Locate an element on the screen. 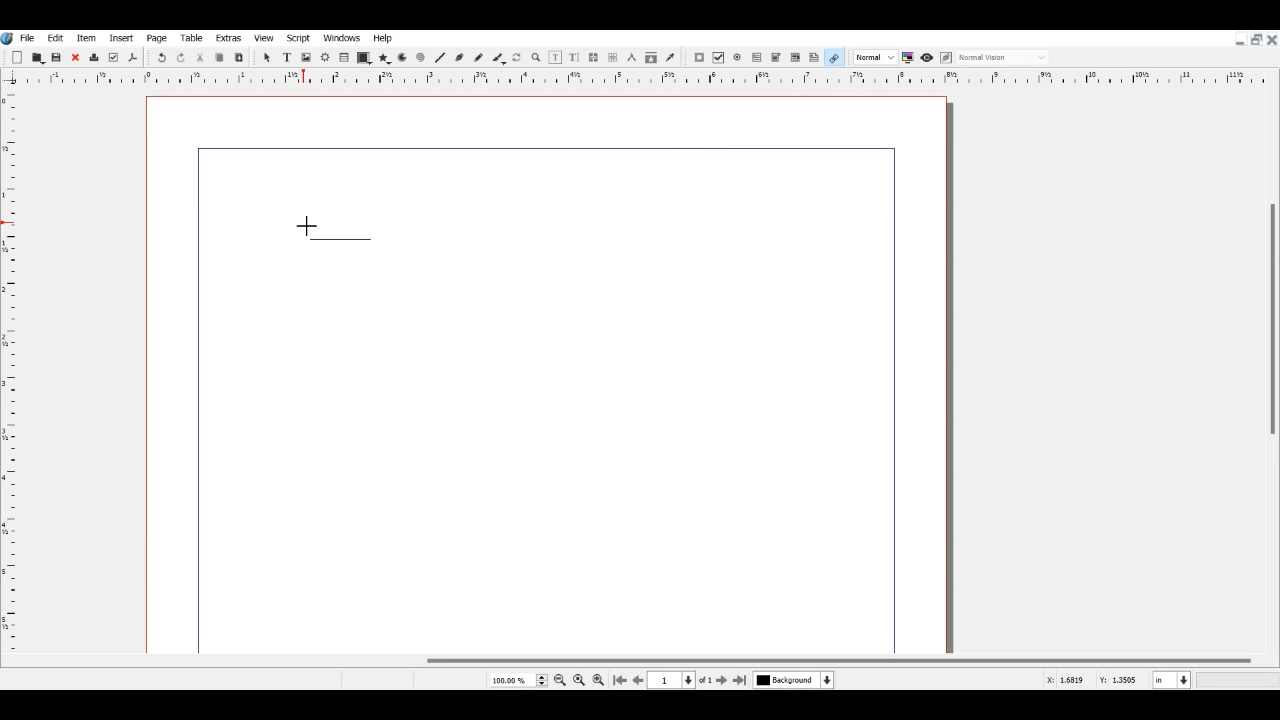 The height and width of the screenshot is (720, 1280). Table is located at coordinates (345, 58).